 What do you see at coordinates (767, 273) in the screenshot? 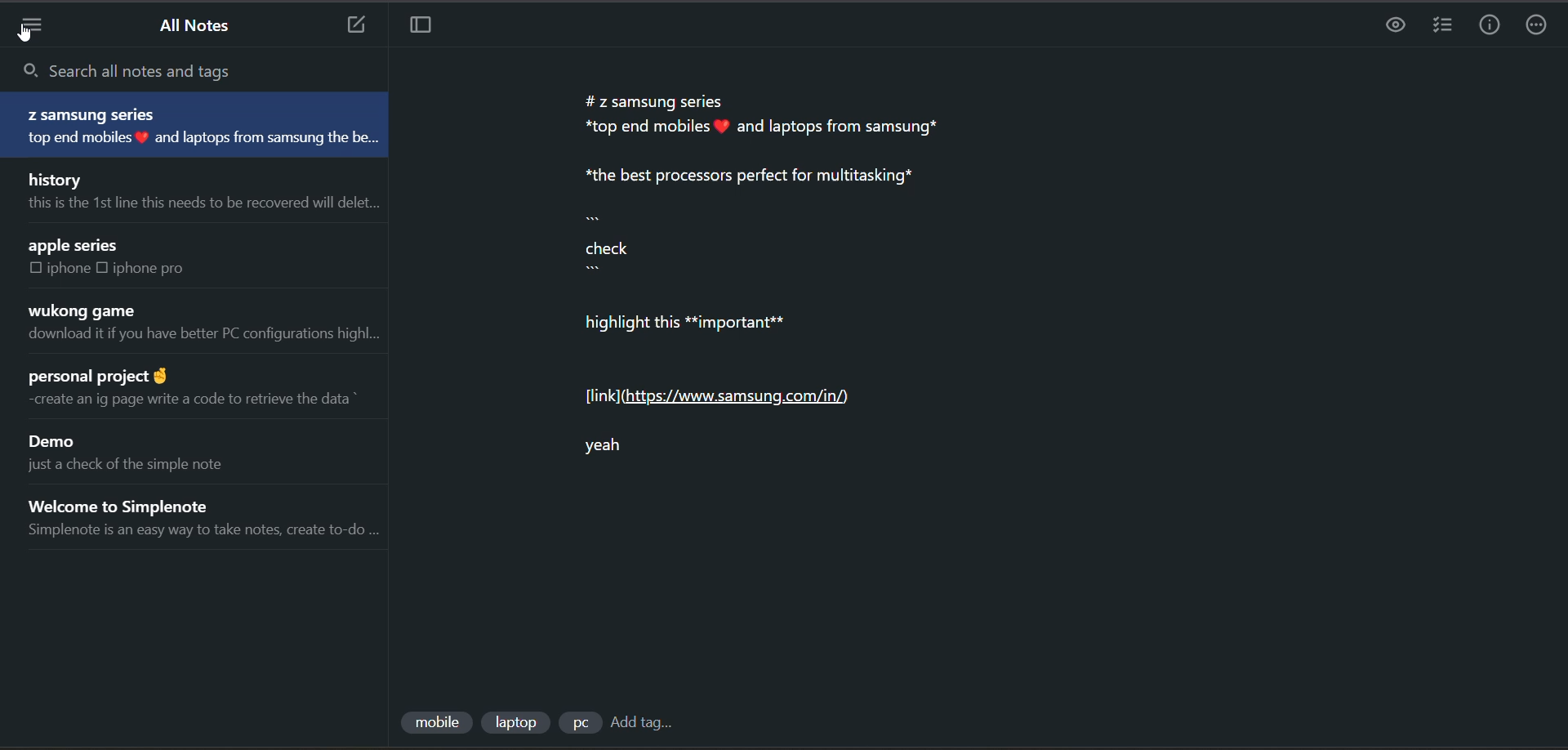
I see `# z samsung series

*top end mobiles # and laptops from samsung*
*the best processors perfect for multitasking*
check

highlight this **important**

[link] (https://www.samsung.com/in/)

yeah` at bounding box center [767, 273].